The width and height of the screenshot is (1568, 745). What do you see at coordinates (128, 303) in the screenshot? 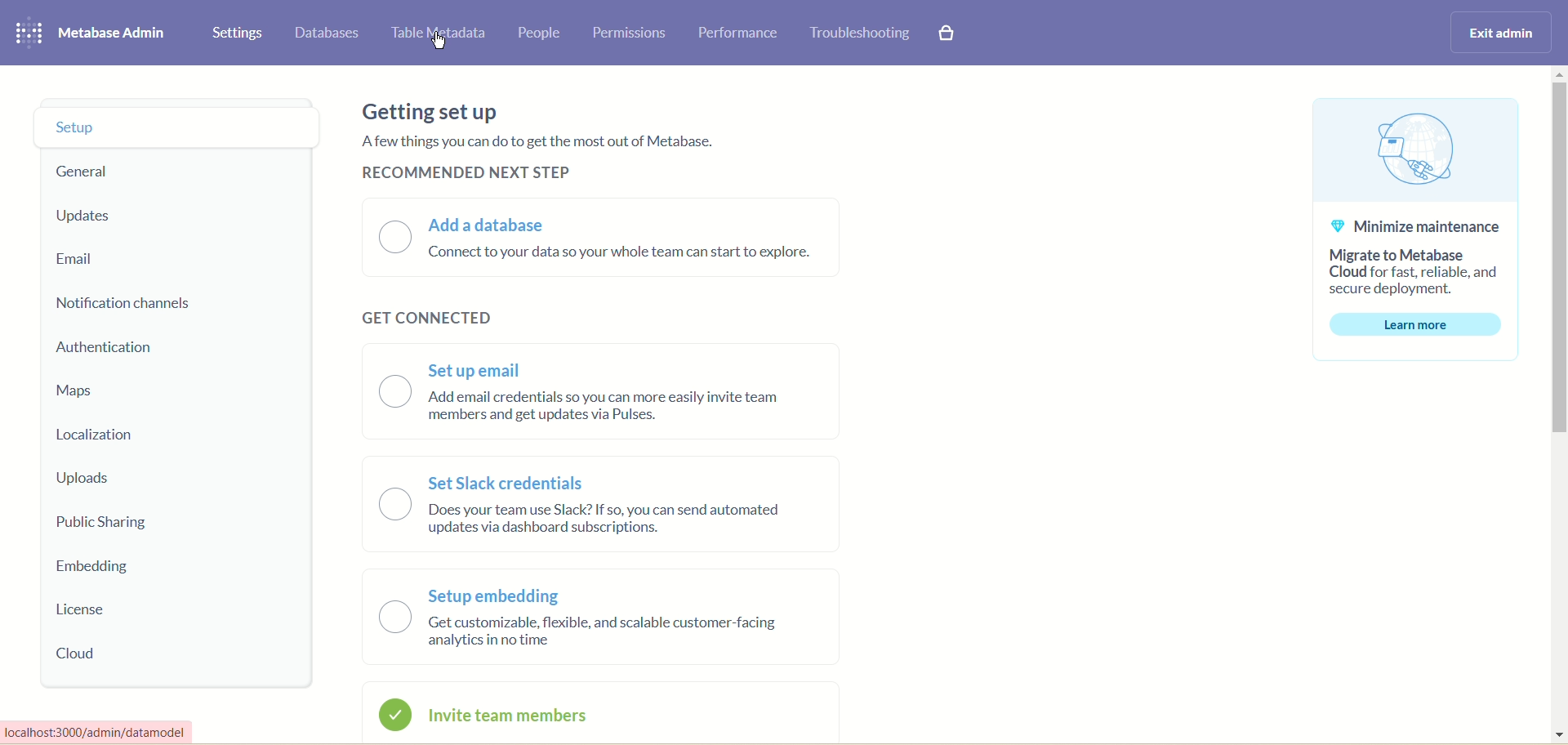
I see `notification channels` at bounding box center [128, 303].